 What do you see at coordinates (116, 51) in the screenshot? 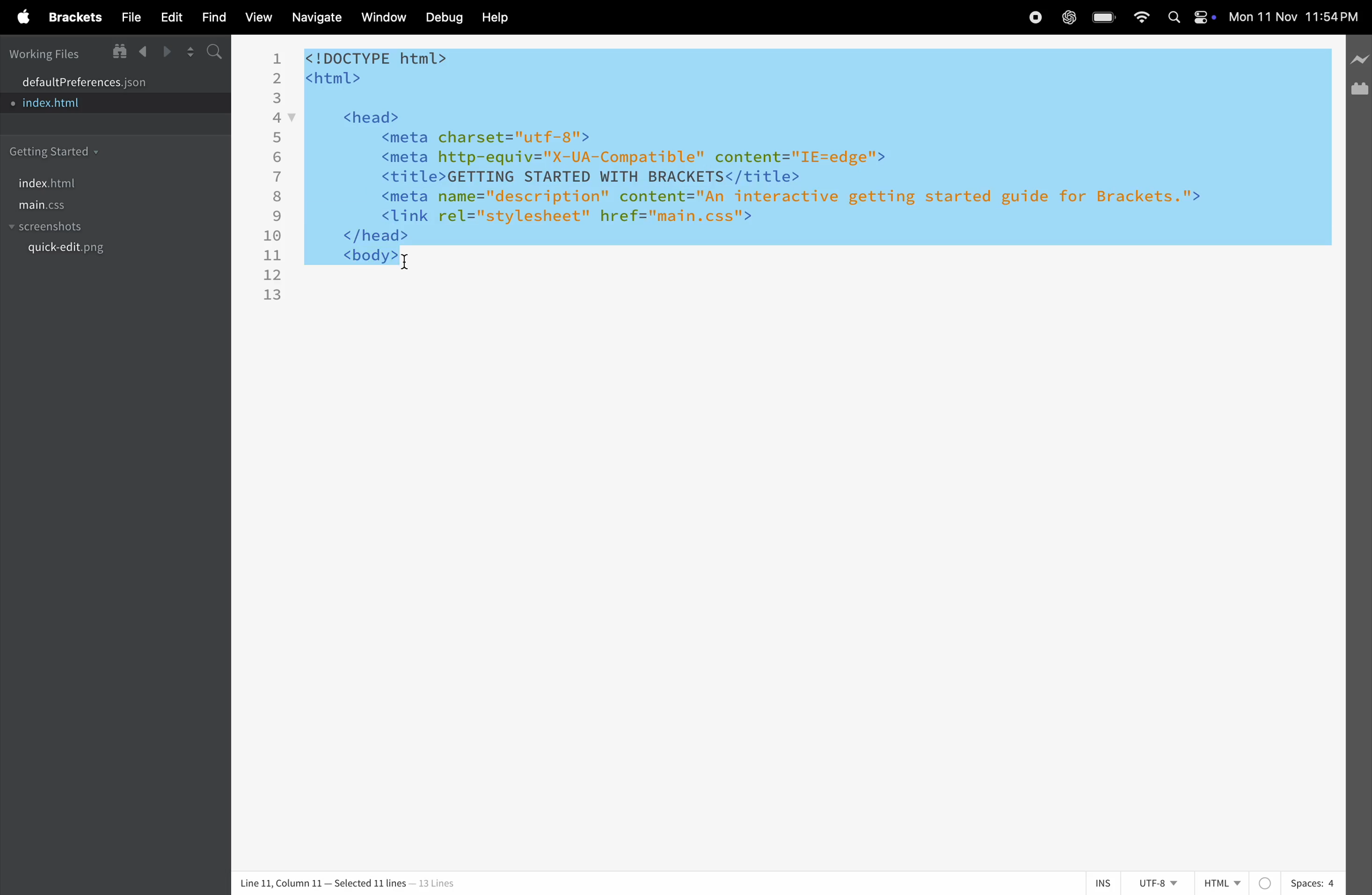
I see `show in file tree` at bounding box center [116, 51].